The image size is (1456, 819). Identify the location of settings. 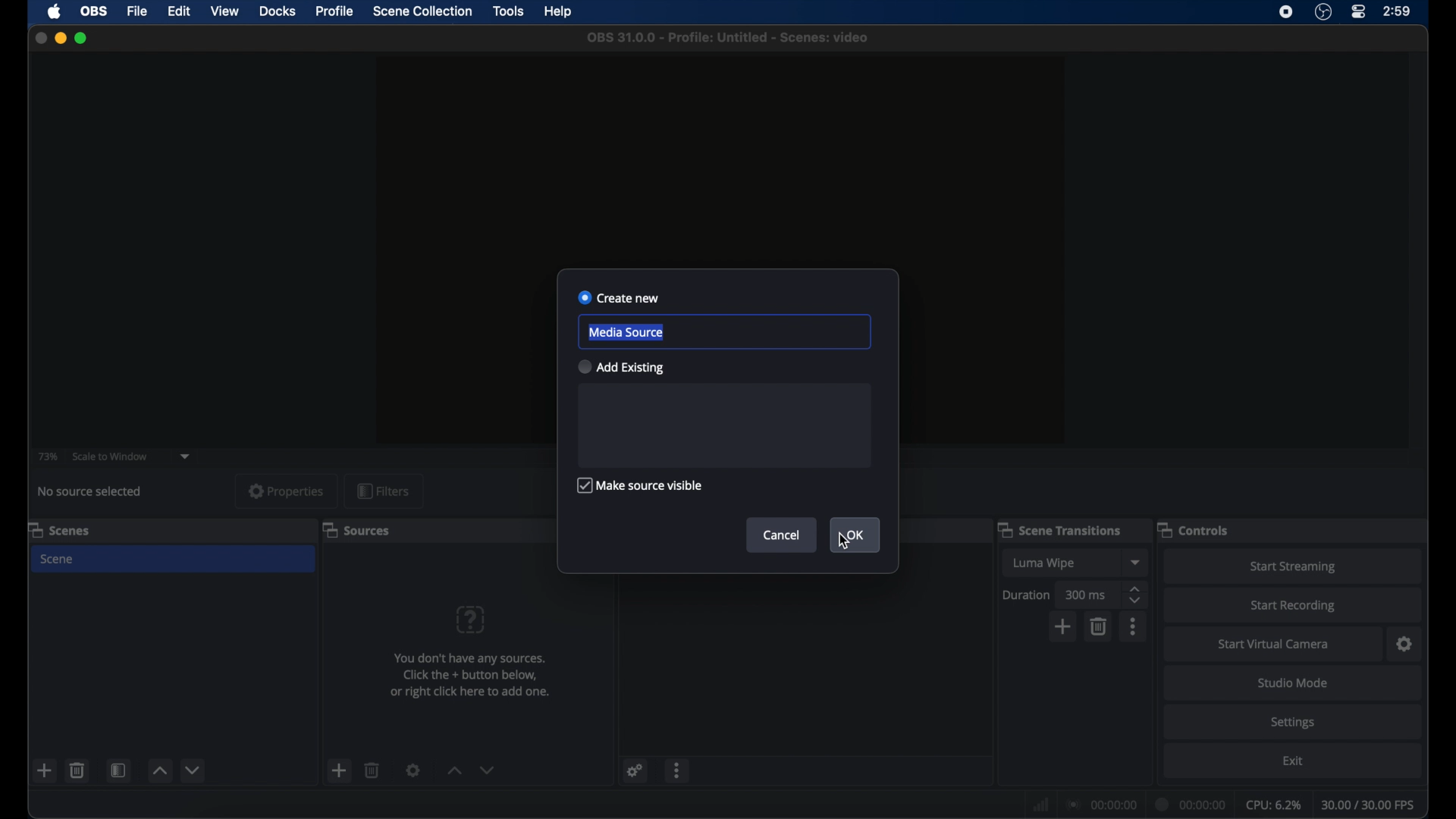
(1406, 645).